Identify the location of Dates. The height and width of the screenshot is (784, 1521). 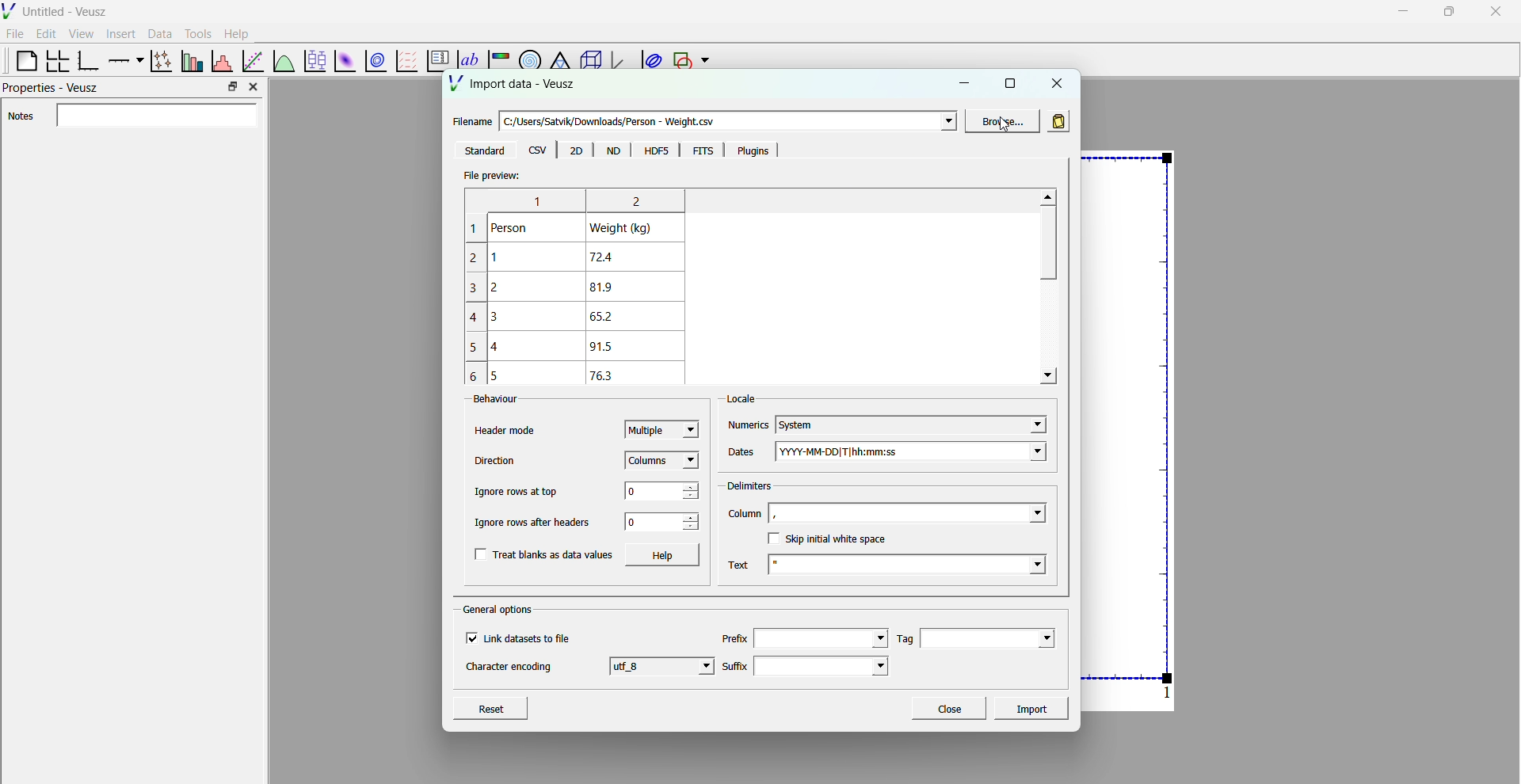
(743, 447).